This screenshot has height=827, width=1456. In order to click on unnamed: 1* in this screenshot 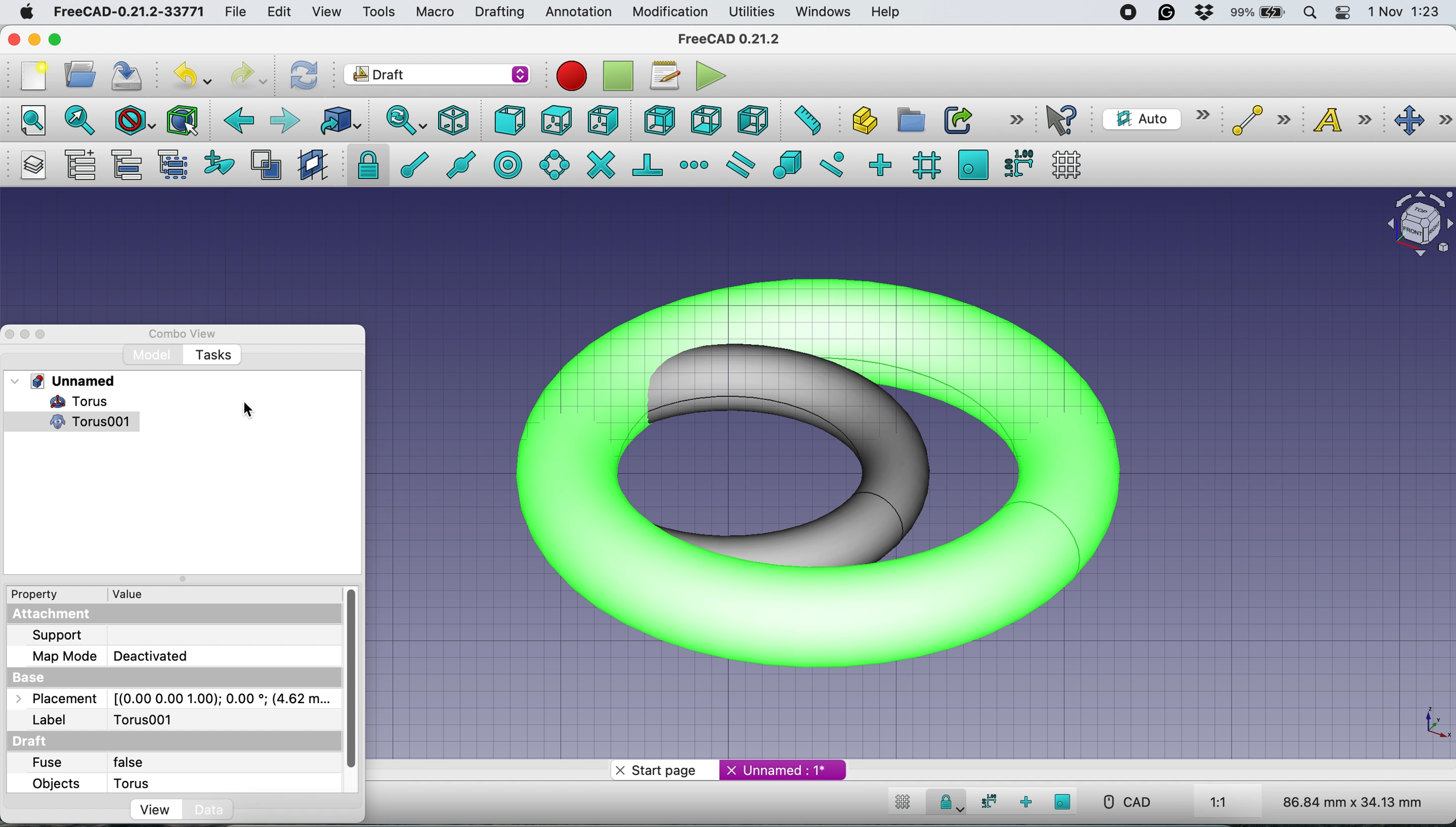, I will do `click(785, 770)`.